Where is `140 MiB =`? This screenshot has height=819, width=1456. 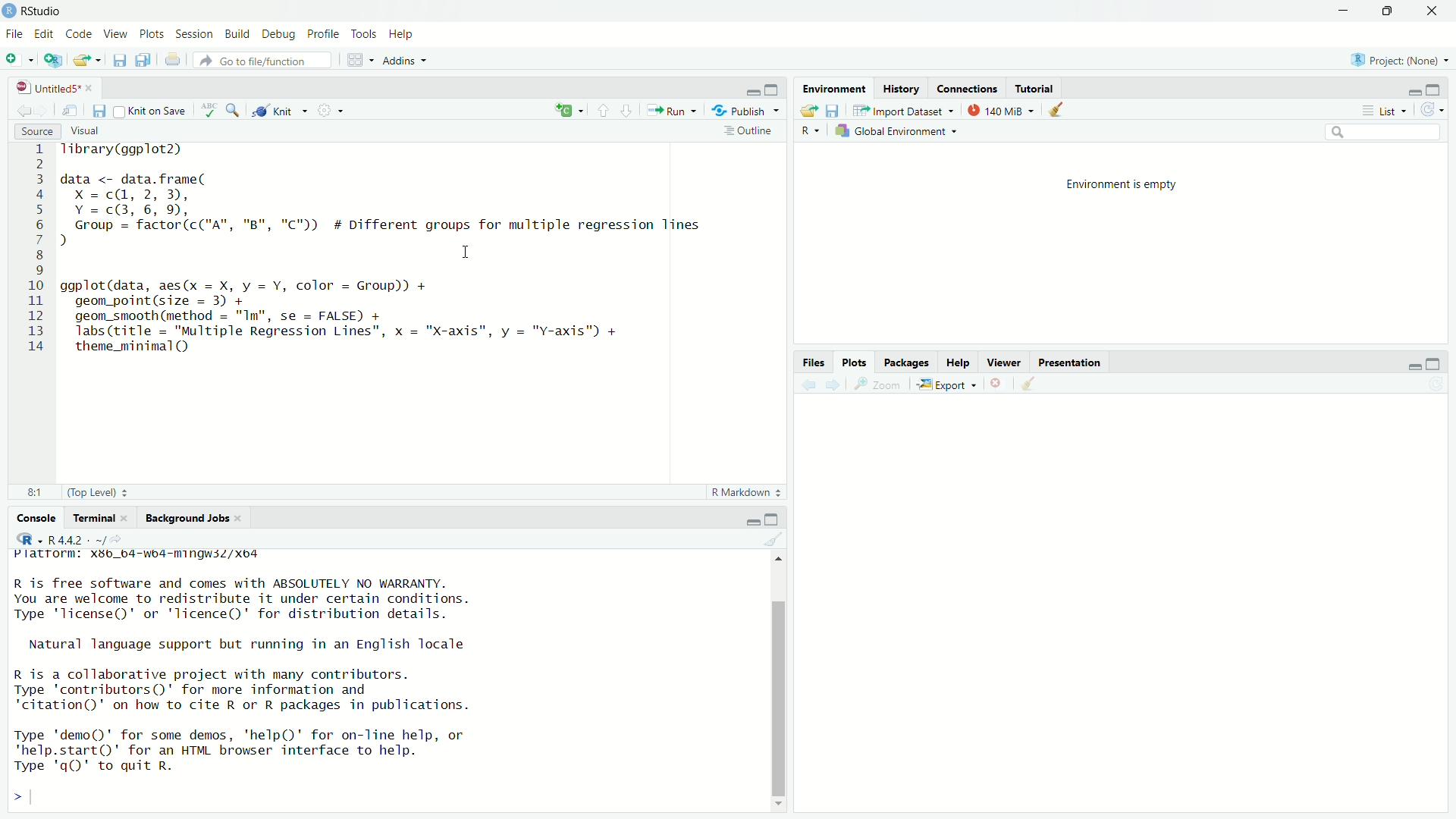
140 MiB = is located at coordinates (999, 110).